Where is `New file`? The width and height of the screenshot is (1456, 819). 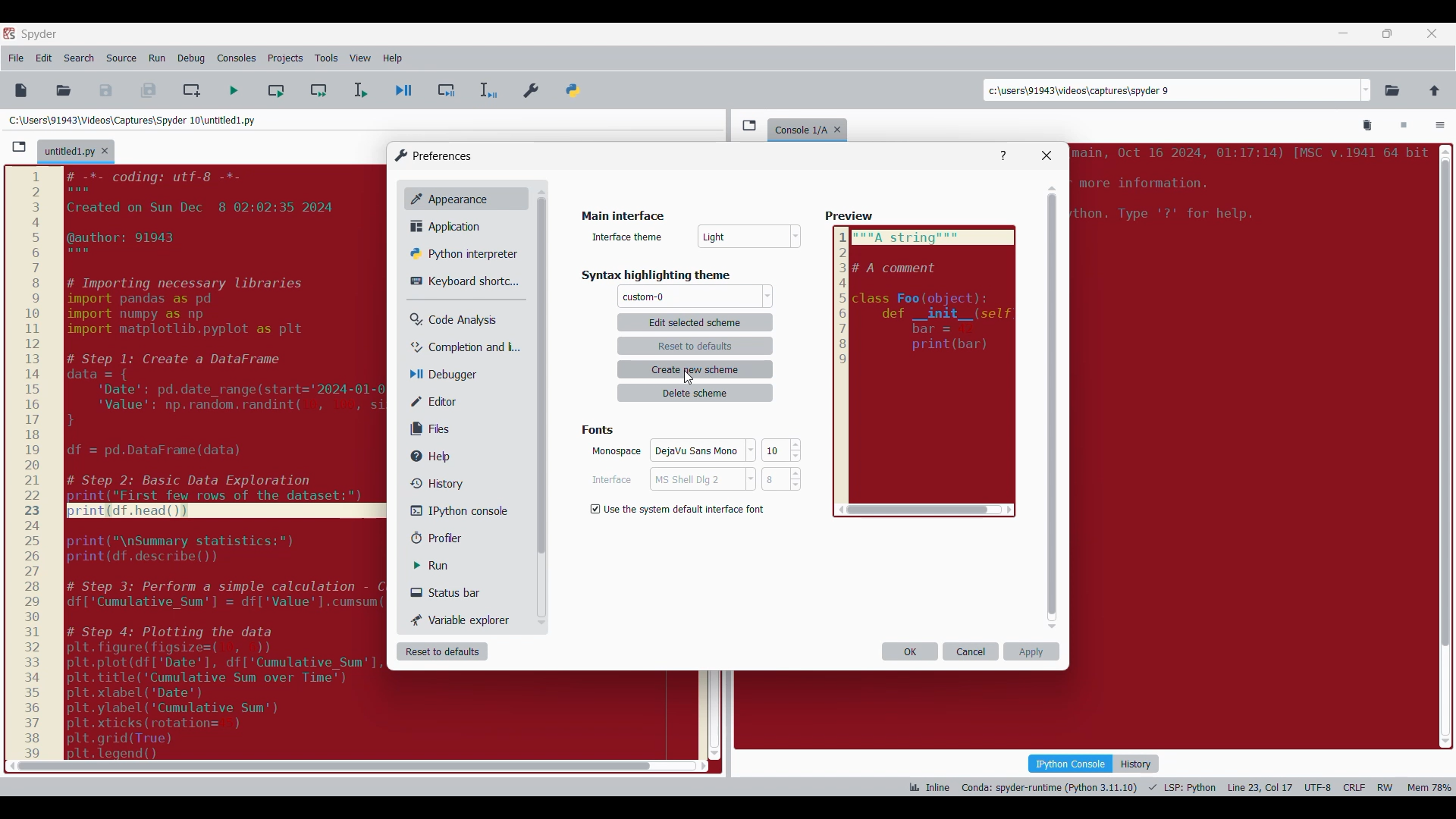
New file is located at coordinates (20, 90).